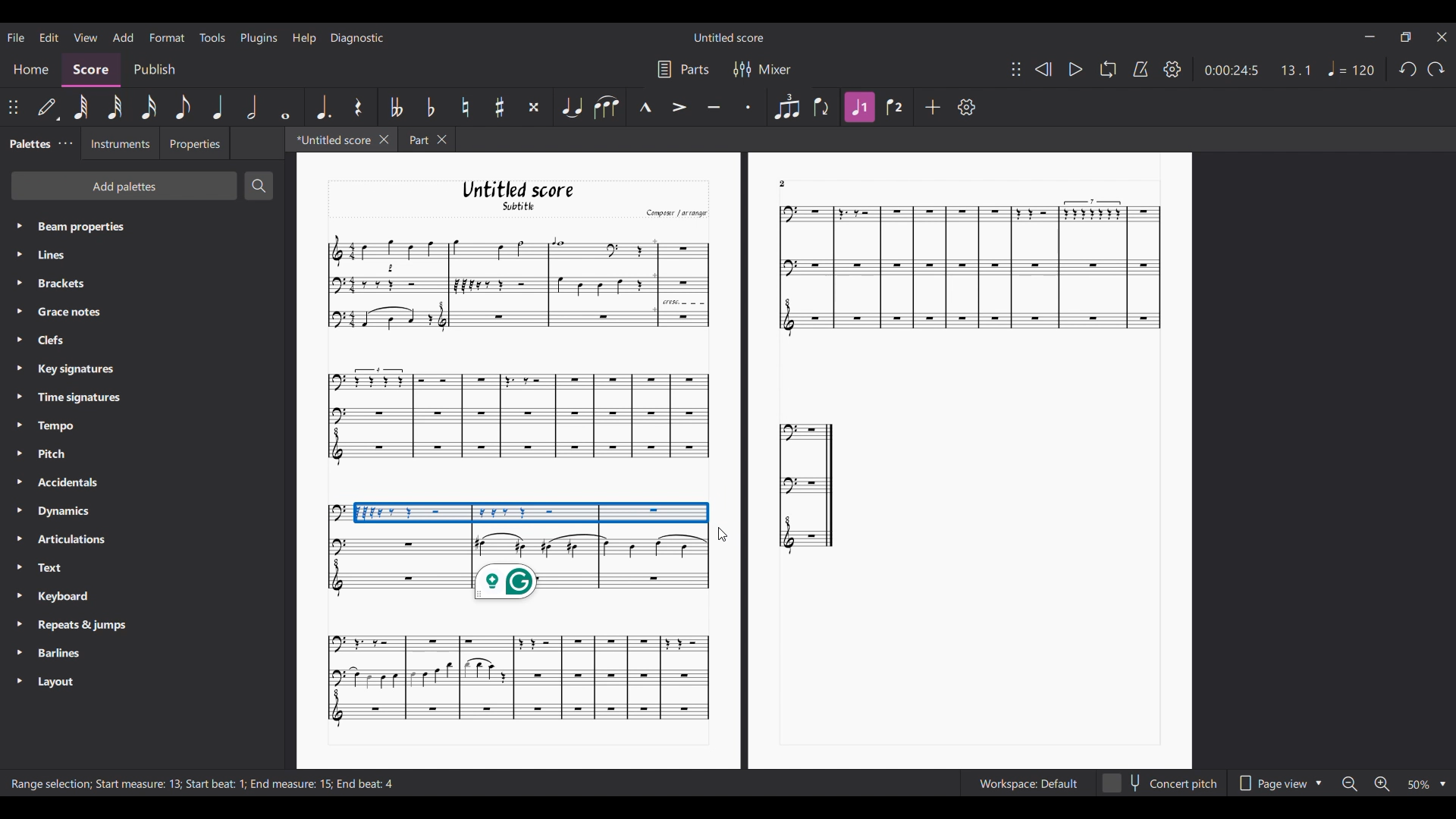 This screenshot has height=819, width=1456. What do you see at coordinates (360, 107) in the screenshot?
I see `Rest` at bounding box center [360, 107].